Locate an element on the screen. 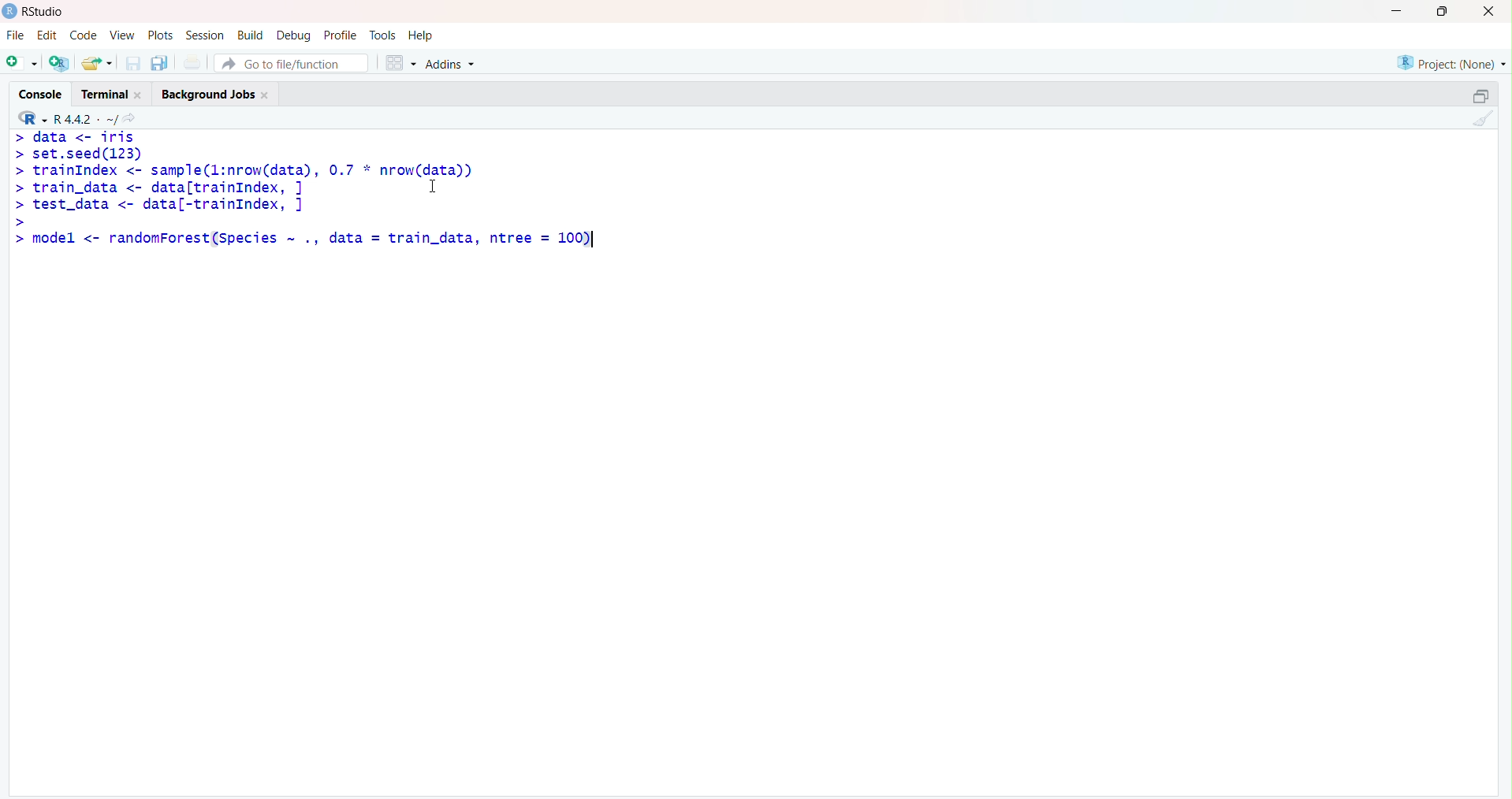 The height and width of the screenshot is (799, 1512). Plots is located at coordinates (160, 35).